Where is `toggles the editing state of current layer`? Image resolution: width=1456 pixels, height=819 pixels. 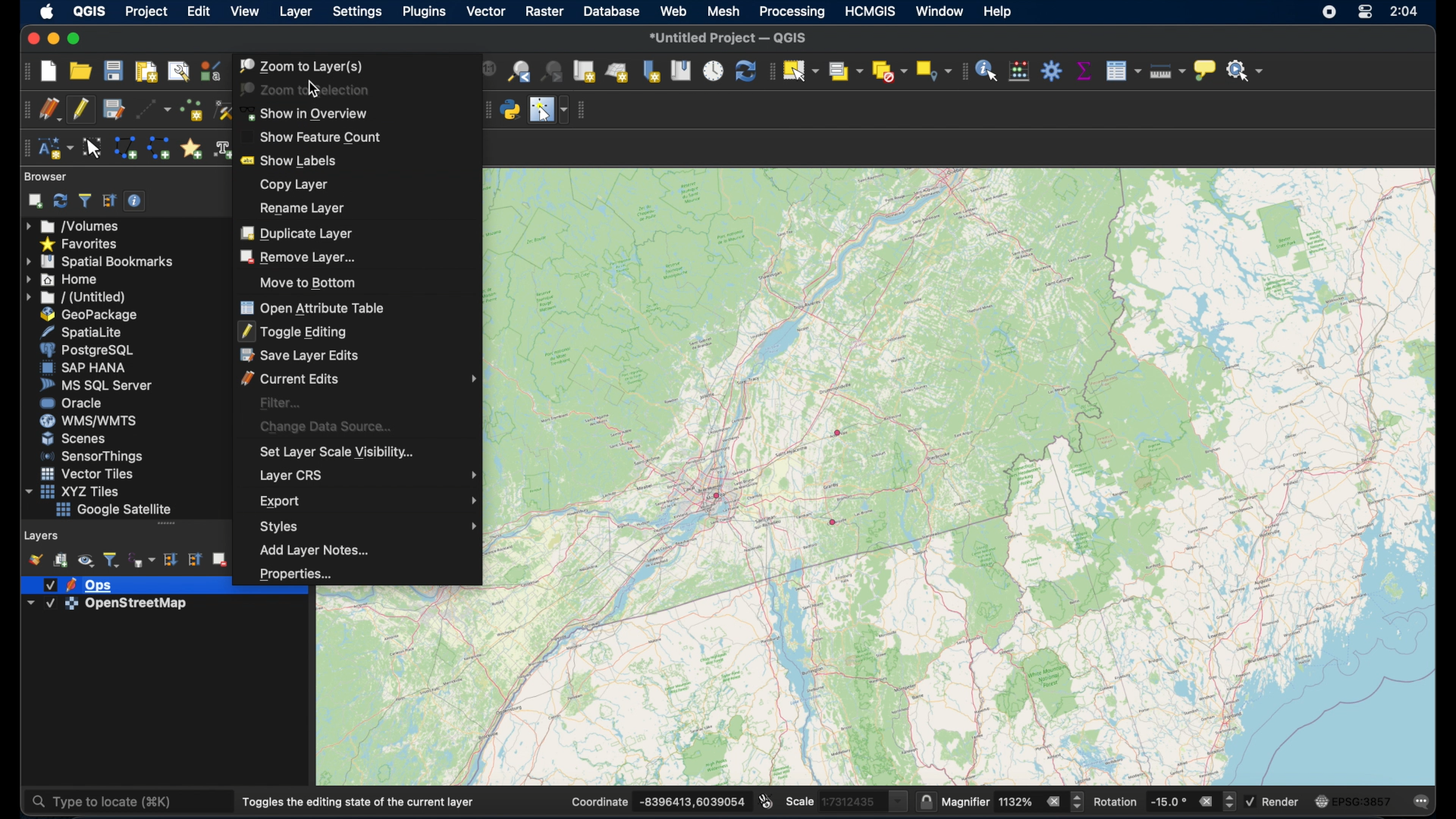 toggles the editing state of current layer is located at coordinates (356, 801).